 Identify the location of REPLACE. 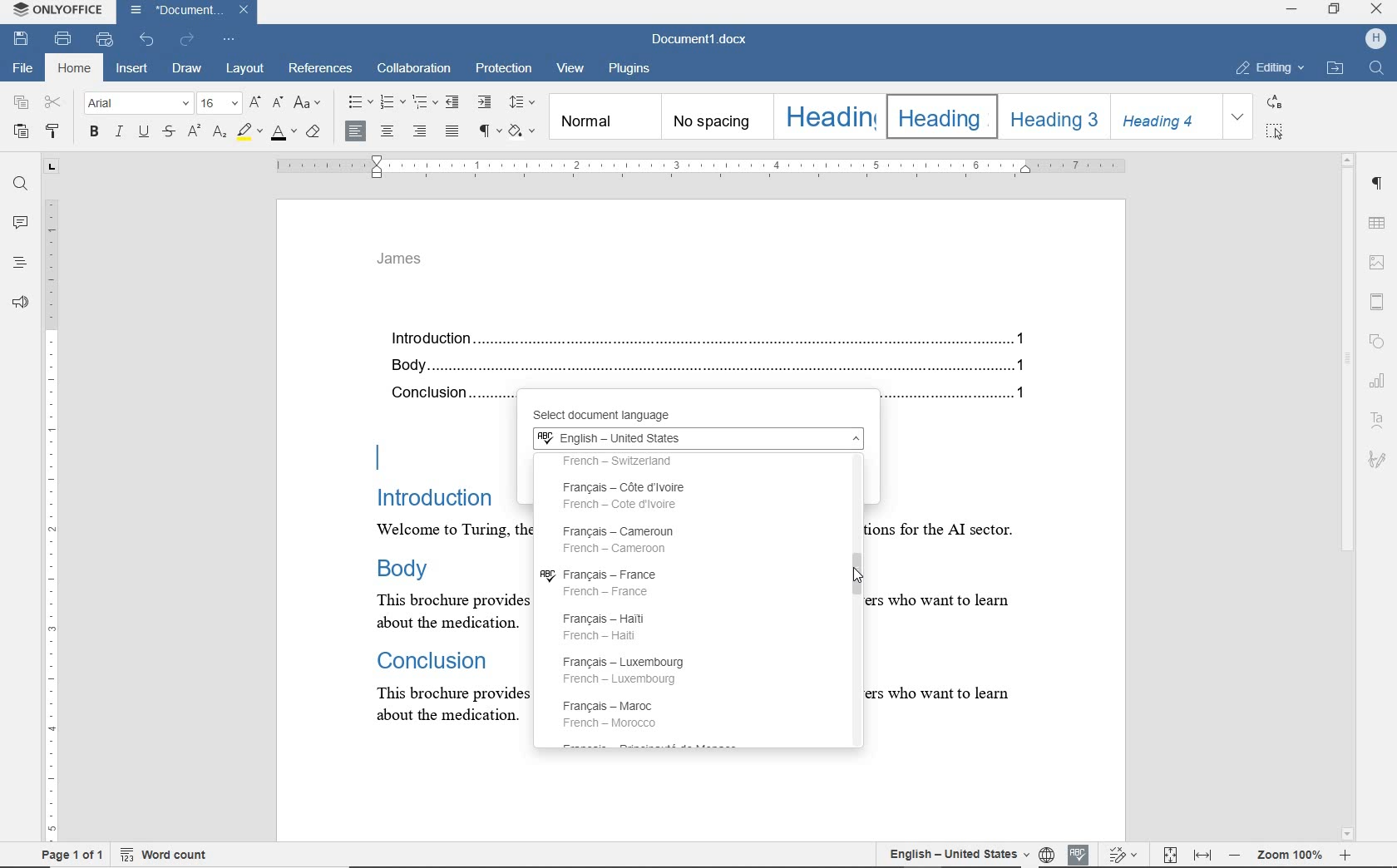
(1275, 101).